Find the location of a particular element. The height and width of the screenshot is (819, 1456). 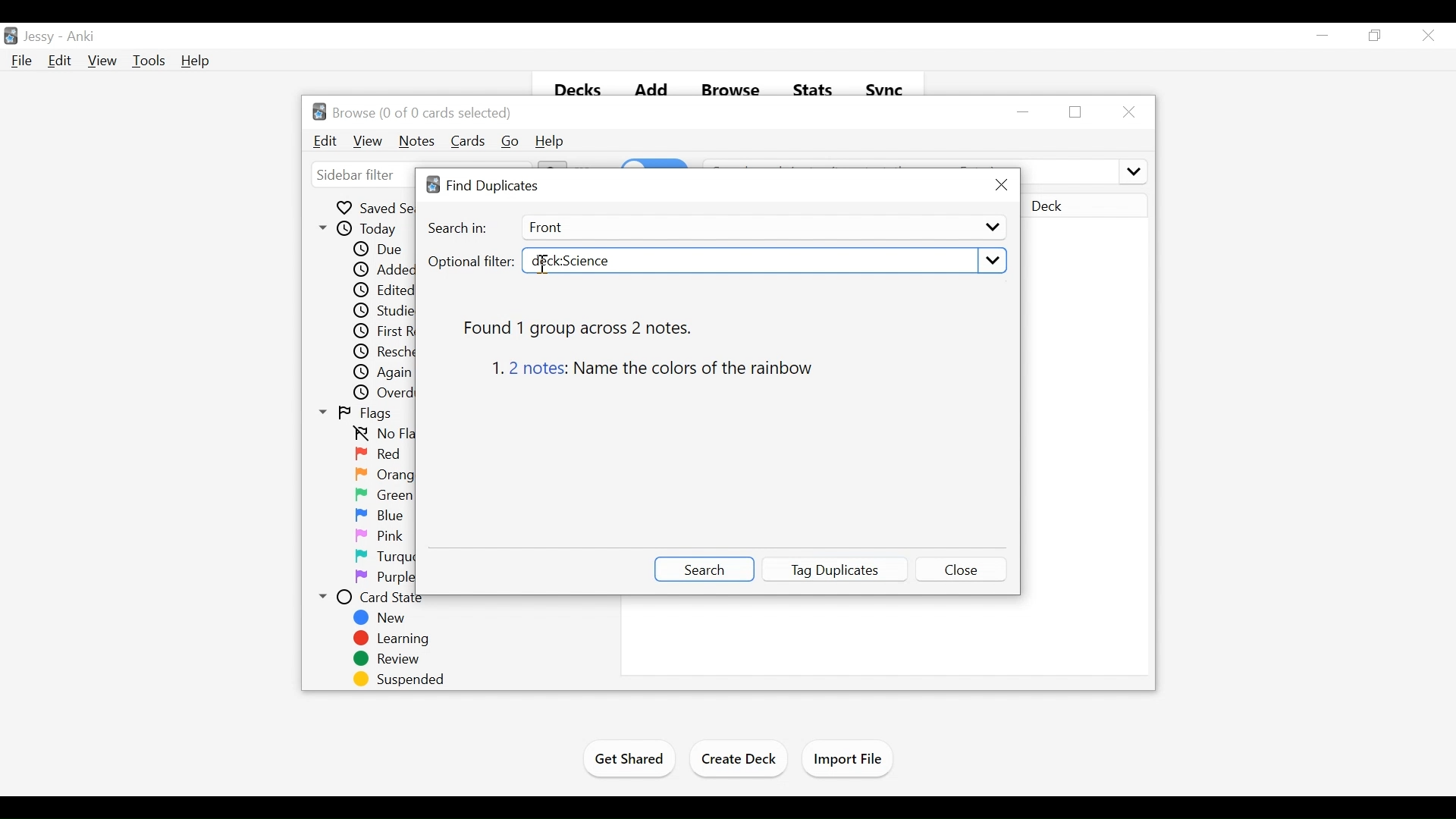

minimize is located at coordinates (1025, 111).